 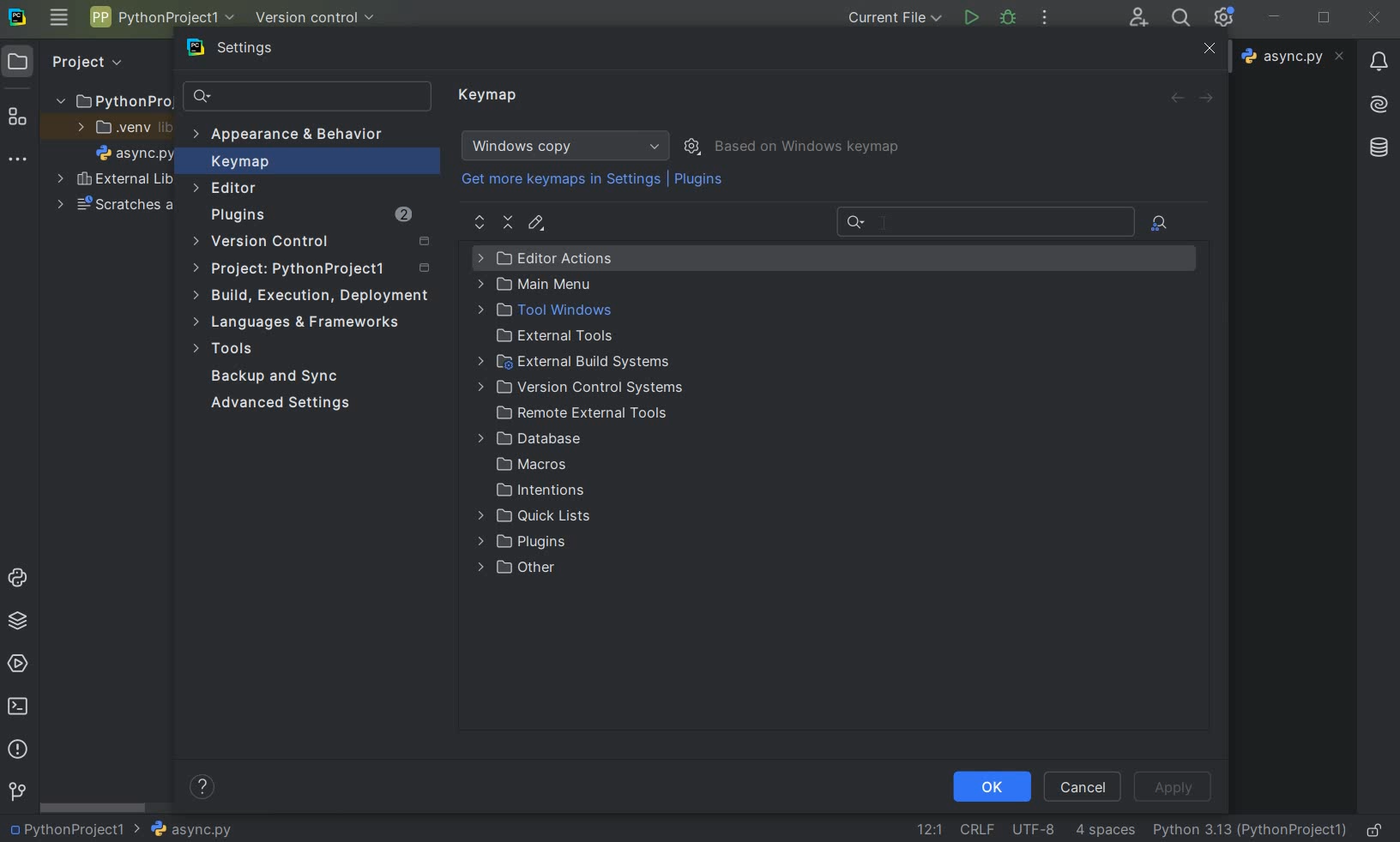 What do you see at coordinates (929, 829) in the screenshot?
I see `go to line` at bounding box center [929, 829].